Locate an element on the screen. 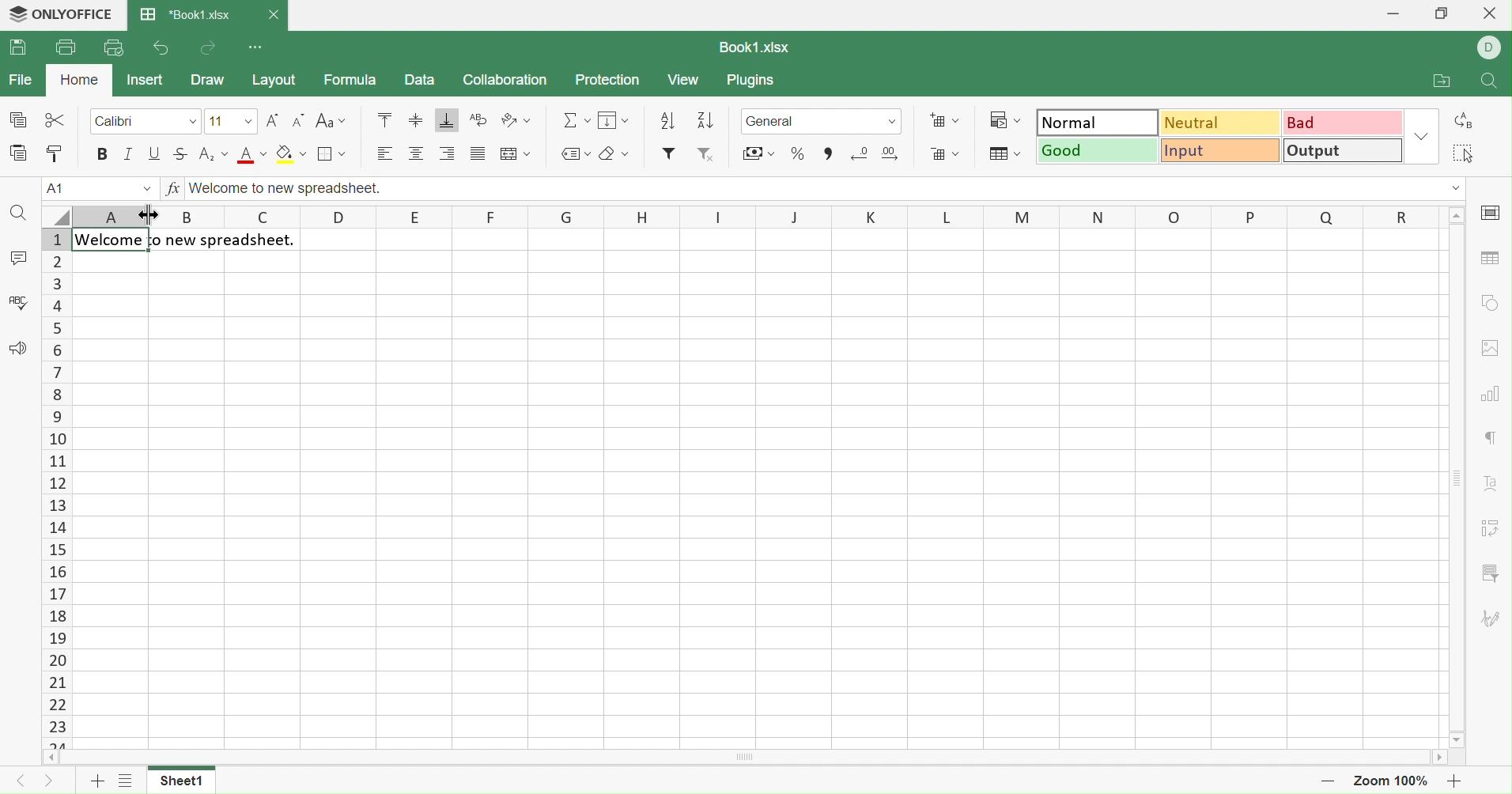  Align Top is located at coordinates (383, 119).